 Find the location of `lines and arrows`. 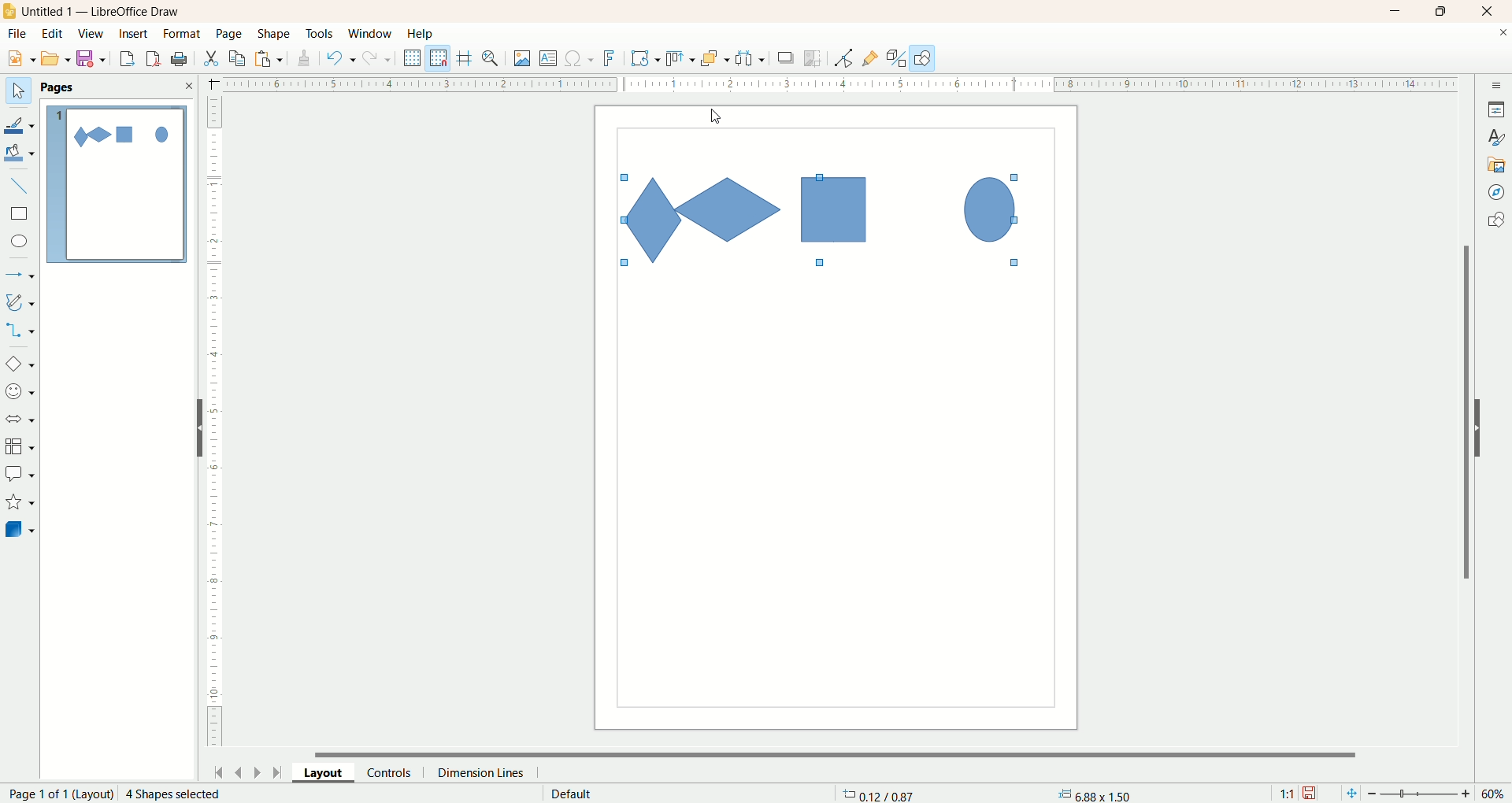

lines and arrows is located at coordinates (21, 276).